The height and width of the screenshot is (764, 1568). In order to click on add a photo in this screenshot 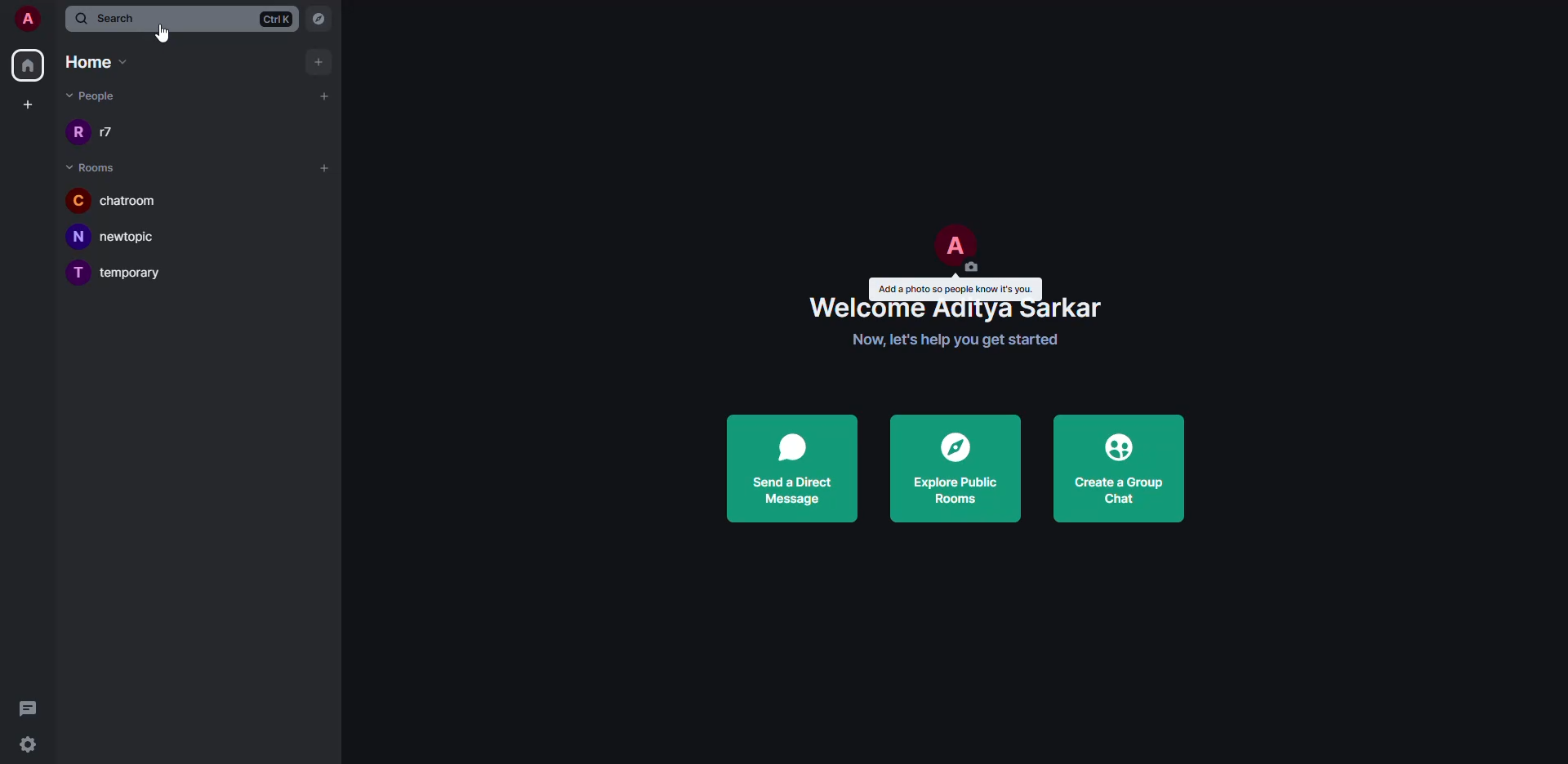, I will do `click(957, 287)`.